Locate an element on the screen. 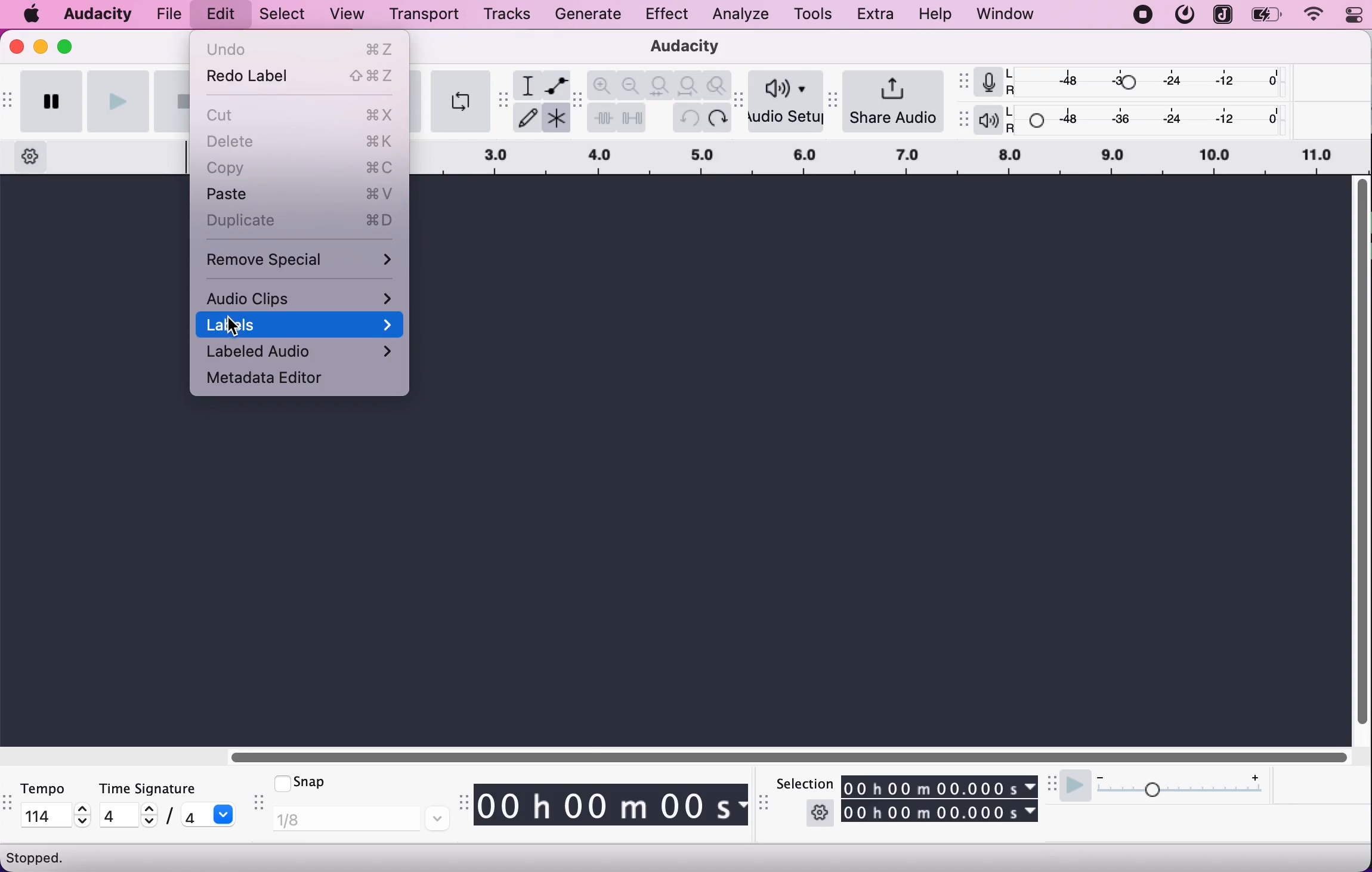 This screenshot has height=872, width=1372. audacity snap toolbar is located at coordinates (257, 804).